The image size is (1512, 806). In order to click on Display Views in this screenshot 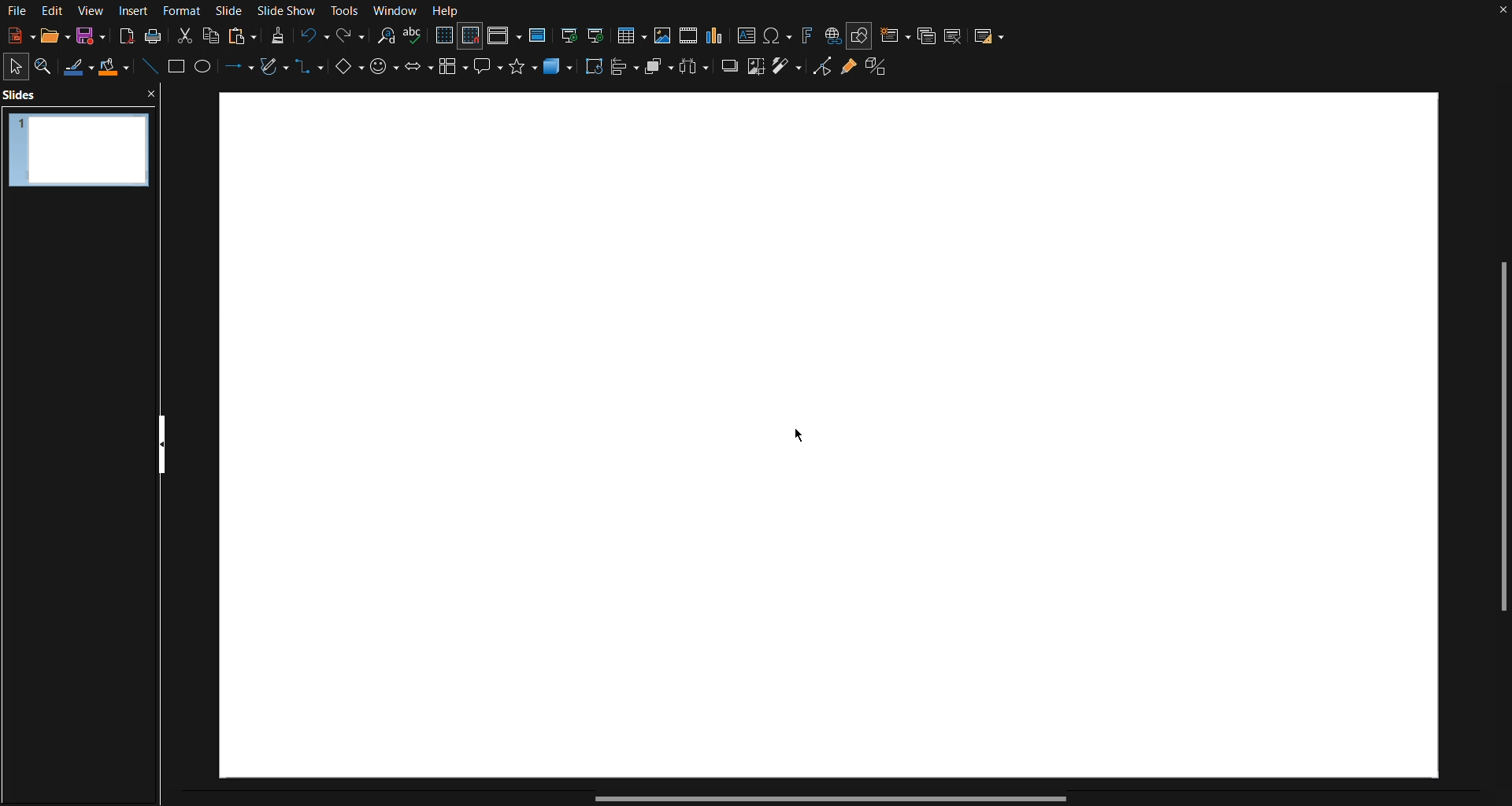, I will do `click(505, 36)`.